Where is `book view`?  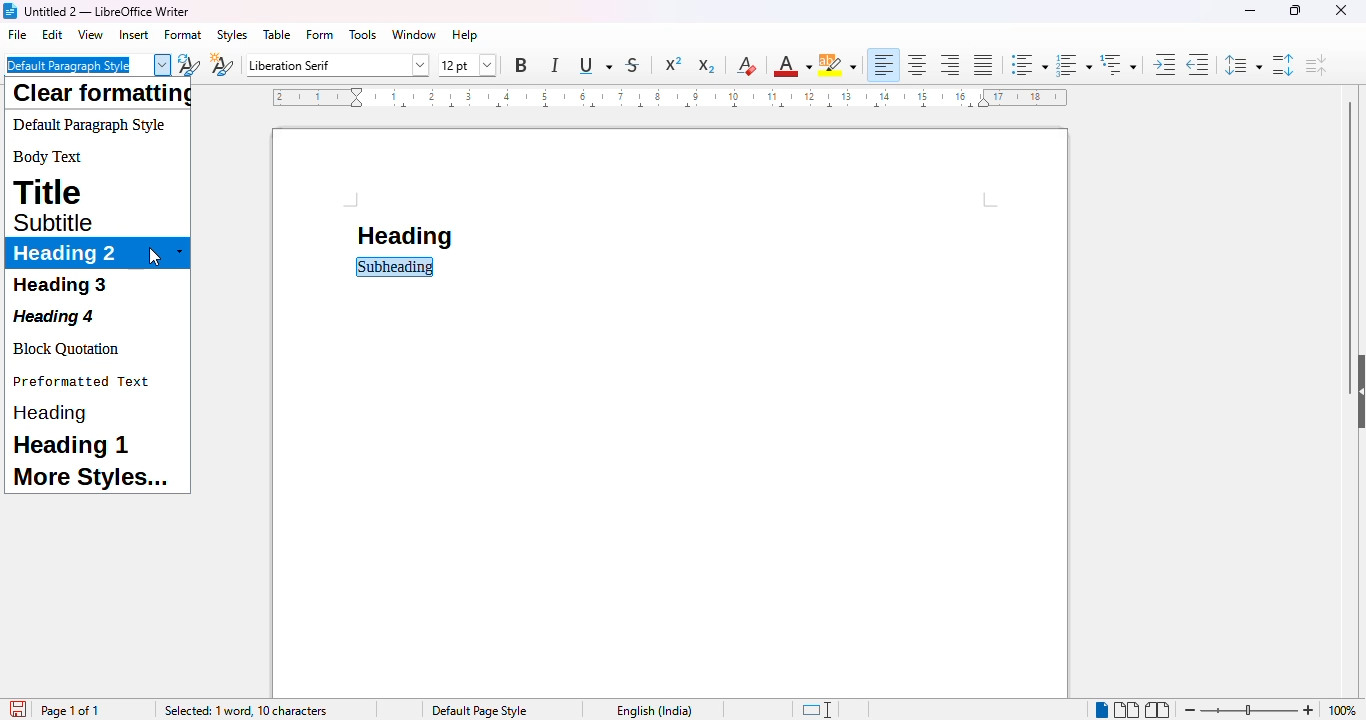 book view is located at coordinates (1158, 708).